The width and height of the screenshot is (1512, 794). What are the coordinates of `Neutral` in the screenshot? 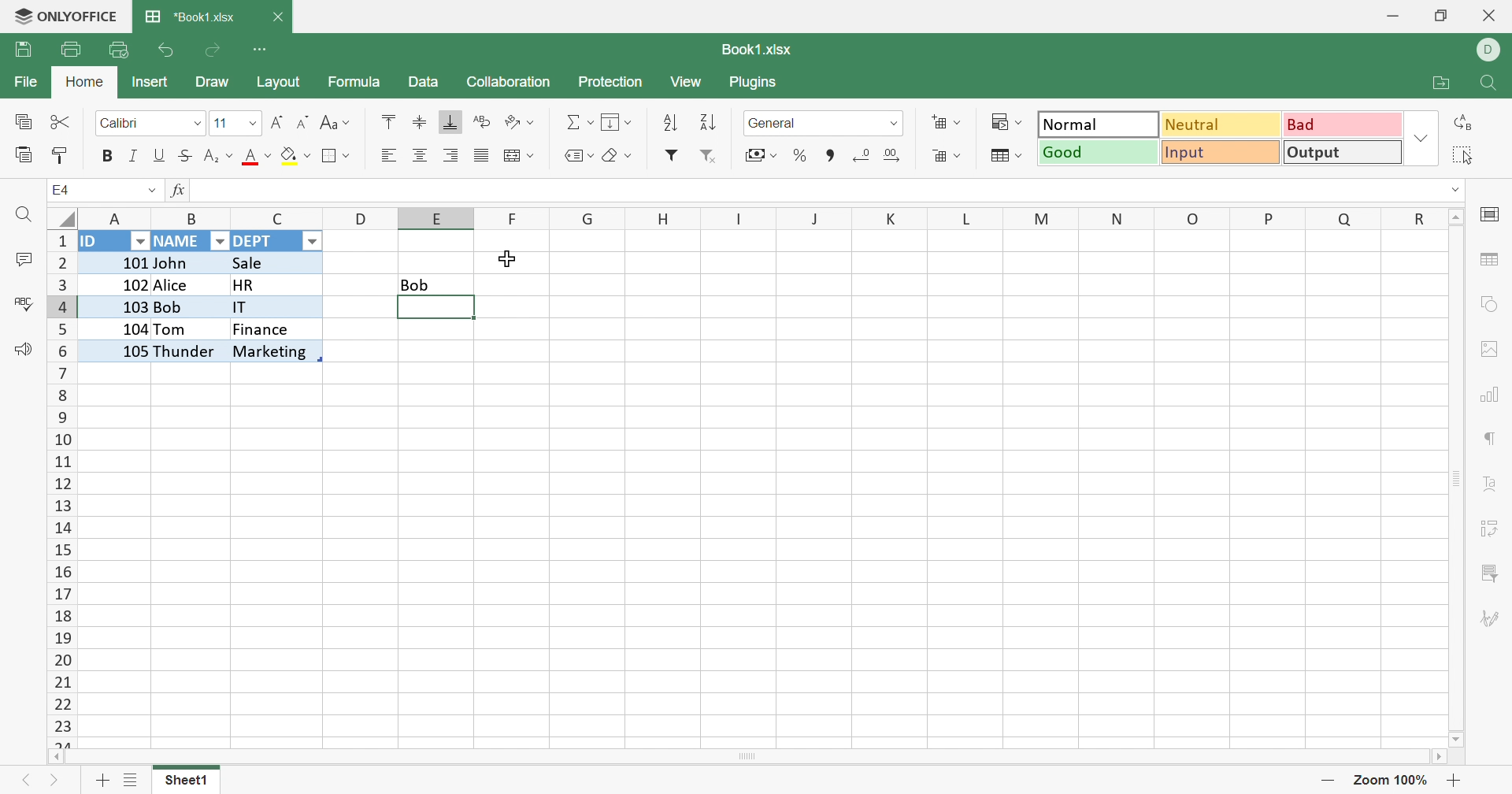 It's located at (1222, 124).